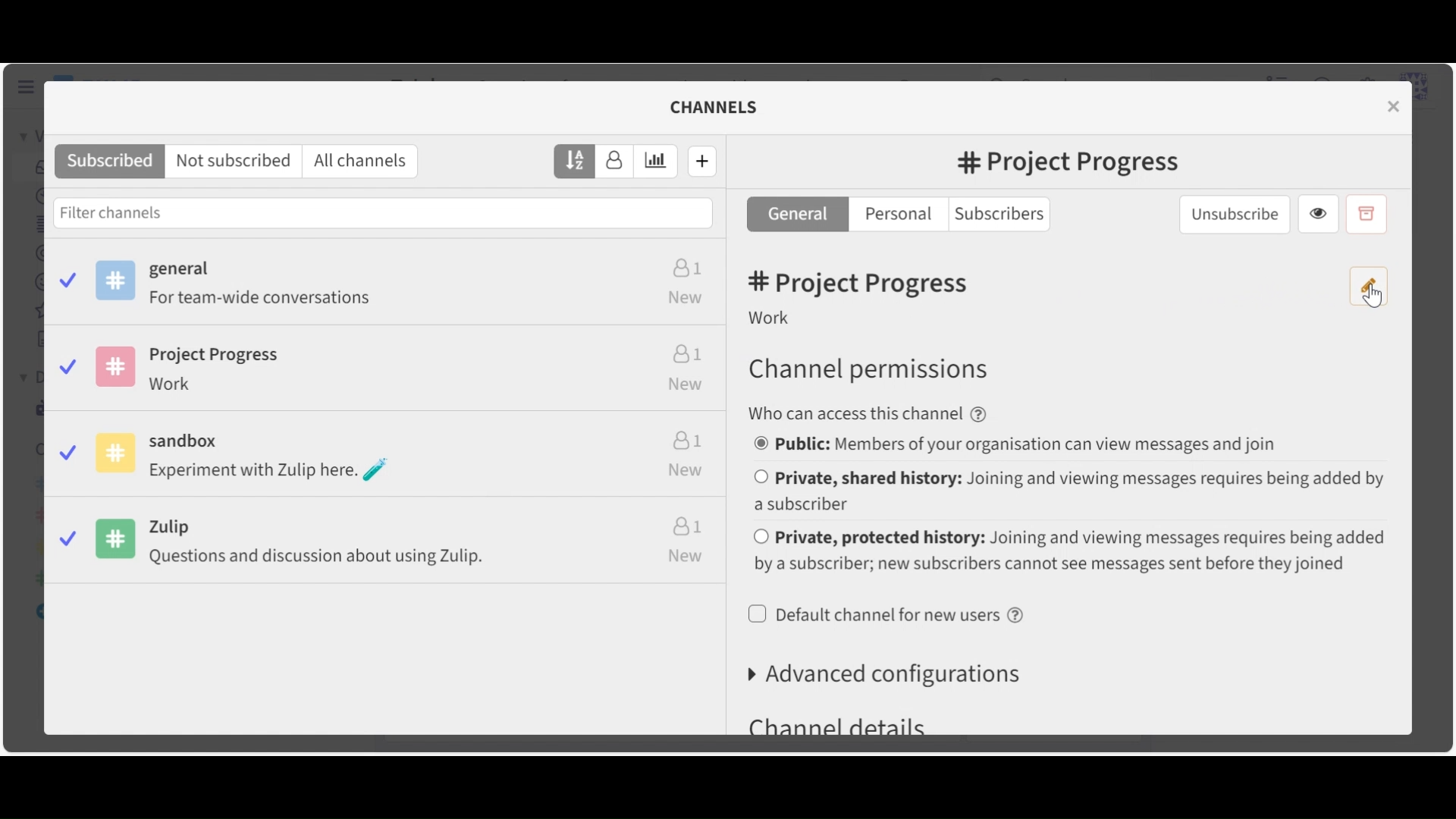  Describe the element at coordinates (704, 162) in the screenshot. I see `Create new channel` at that location.